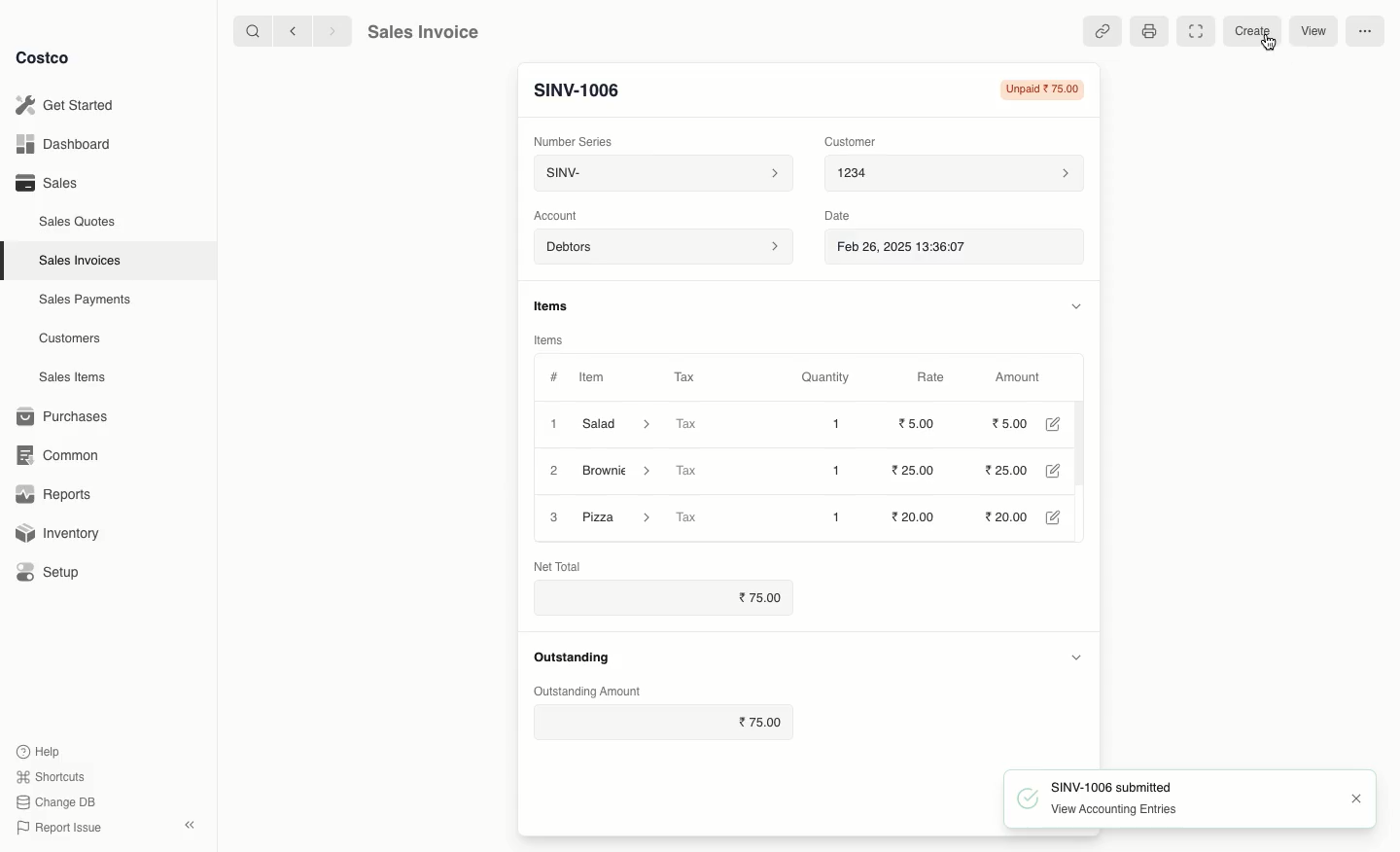 The width and height of the screenshot is (1400, 852). I want to click on Outstanding, so click(573, 657).